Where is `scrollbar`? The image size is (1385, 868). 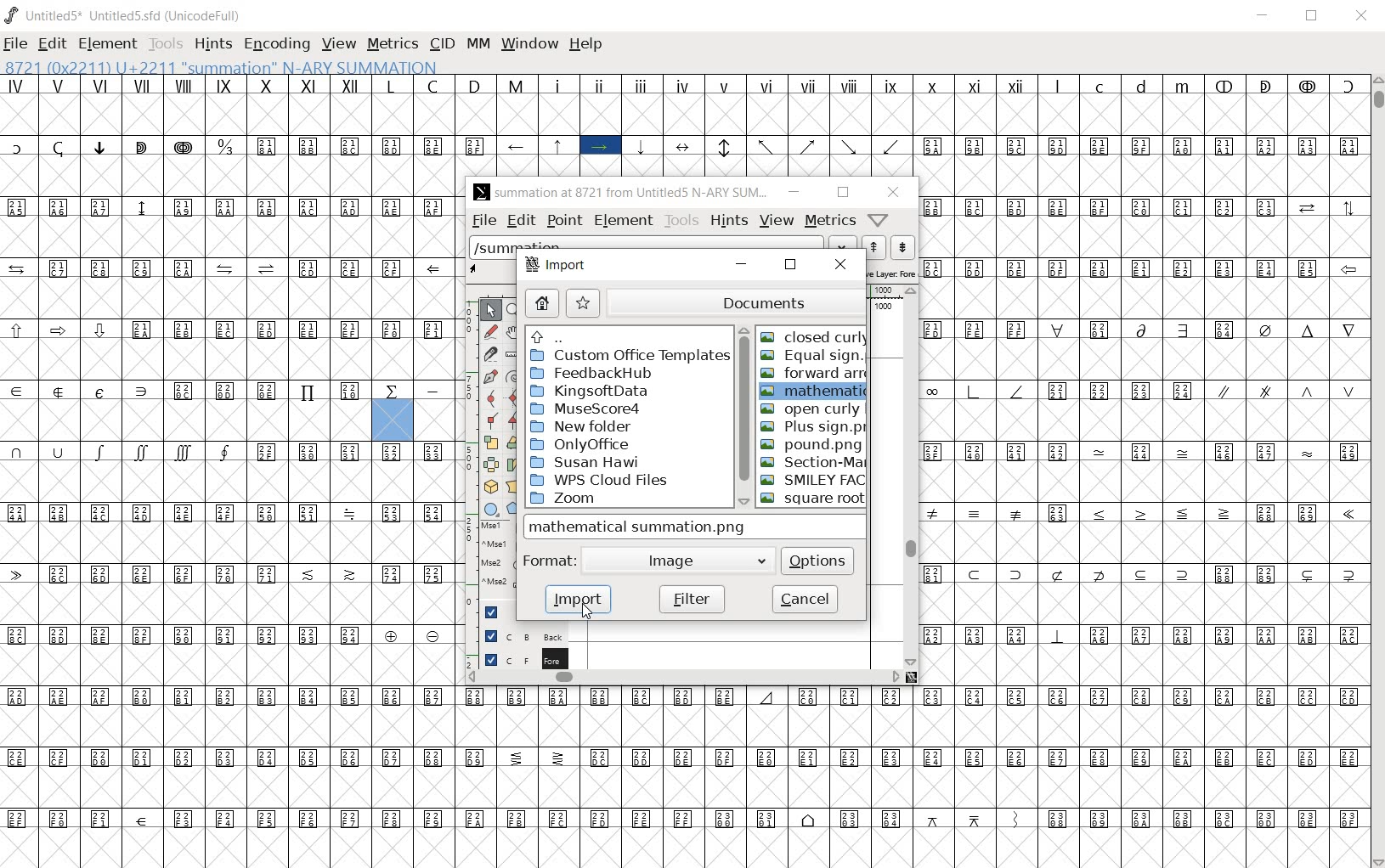
scrollbar is located at coordinates (684, 677).